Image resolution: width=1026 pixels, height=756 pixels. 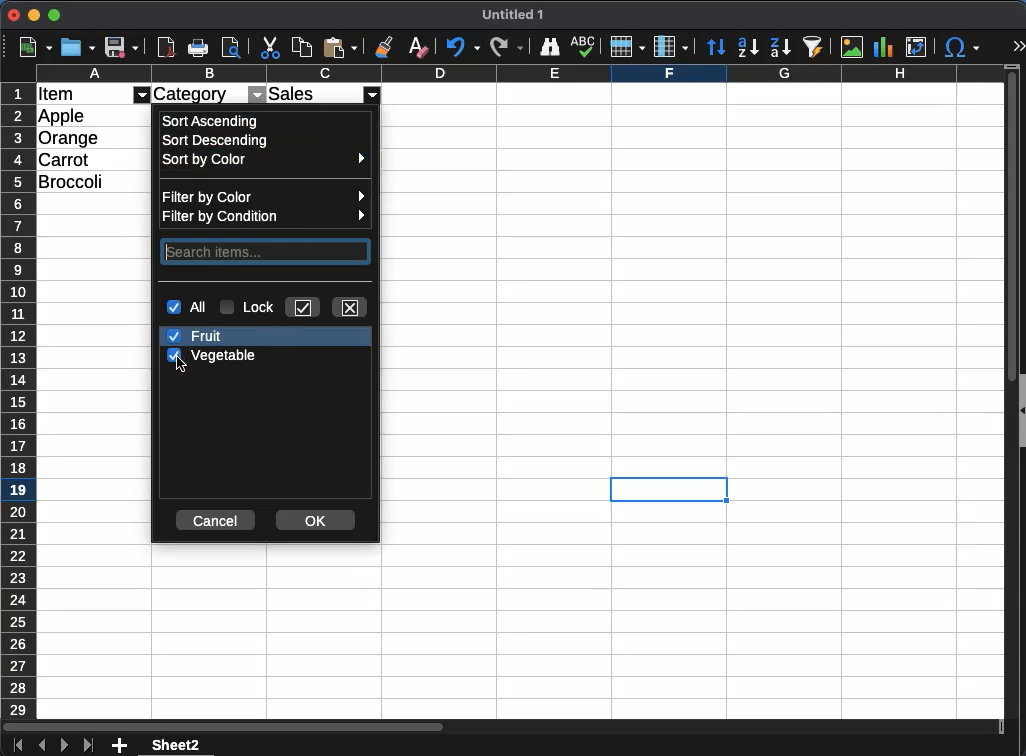 What do you see at coordinates (217, 519) in the screenshot?
I see `cancel` at bounding box center [217, 519].